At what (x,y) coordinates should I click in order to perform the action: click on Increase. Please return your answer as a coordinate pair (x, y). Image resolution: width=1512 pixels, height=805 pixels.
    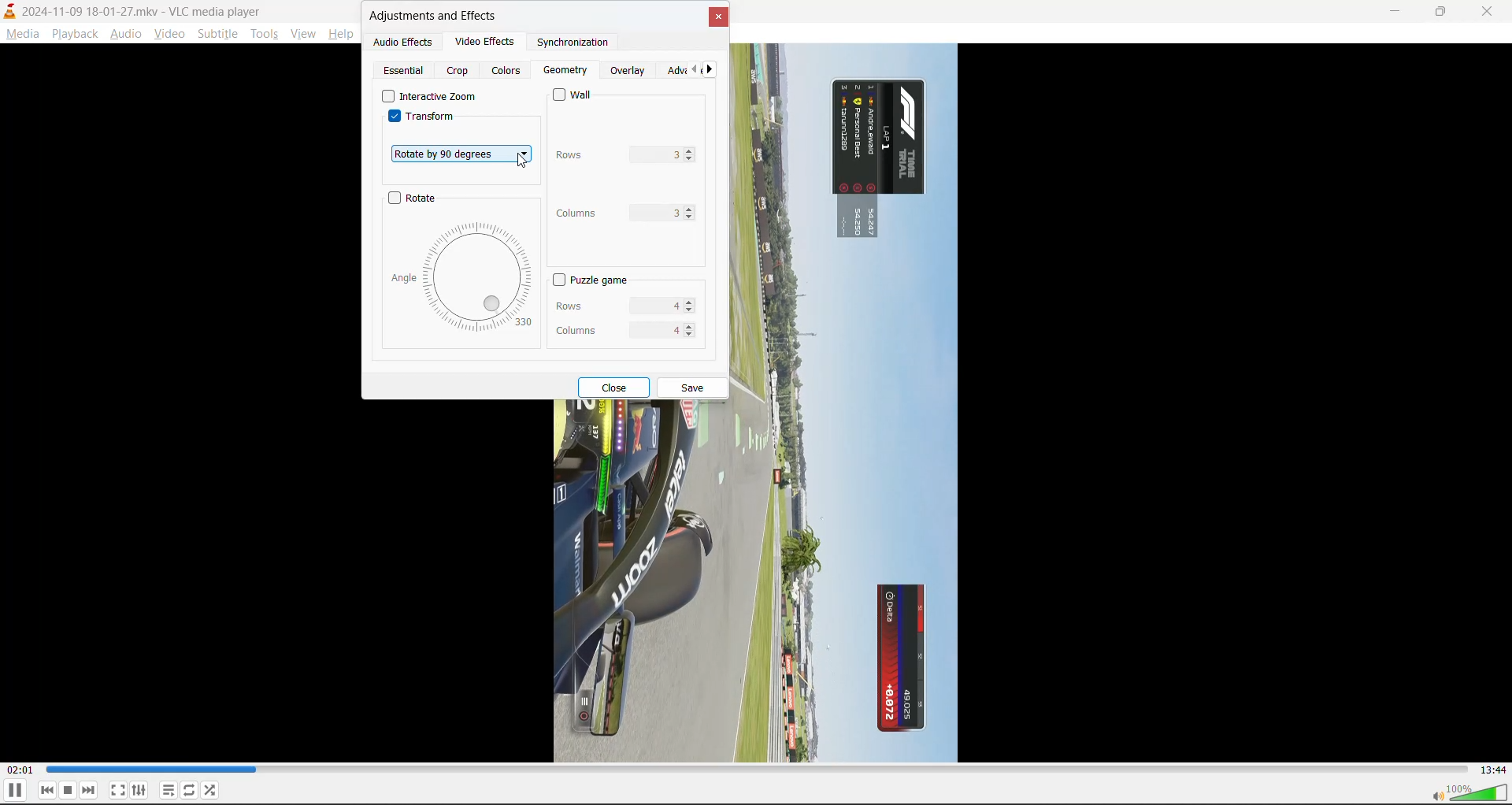
    Looking at the image, I should click on (691, 208).